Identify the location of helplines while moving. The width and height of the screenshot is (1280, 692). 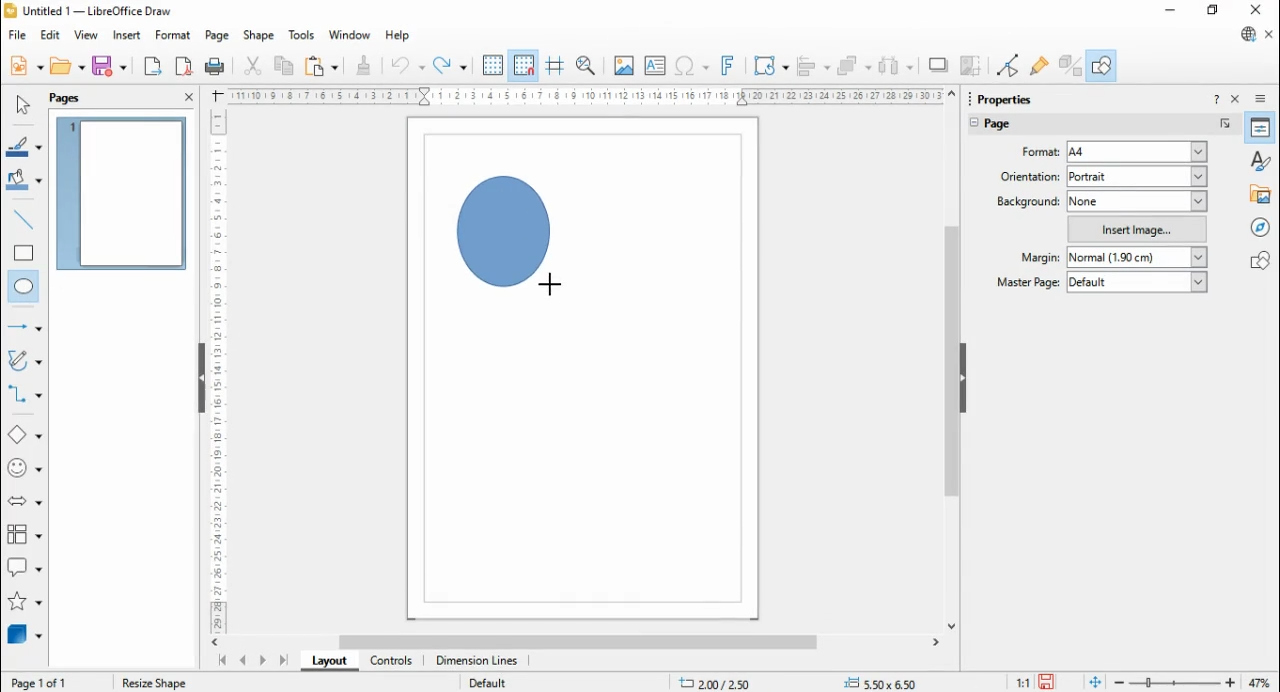
(555, 66).